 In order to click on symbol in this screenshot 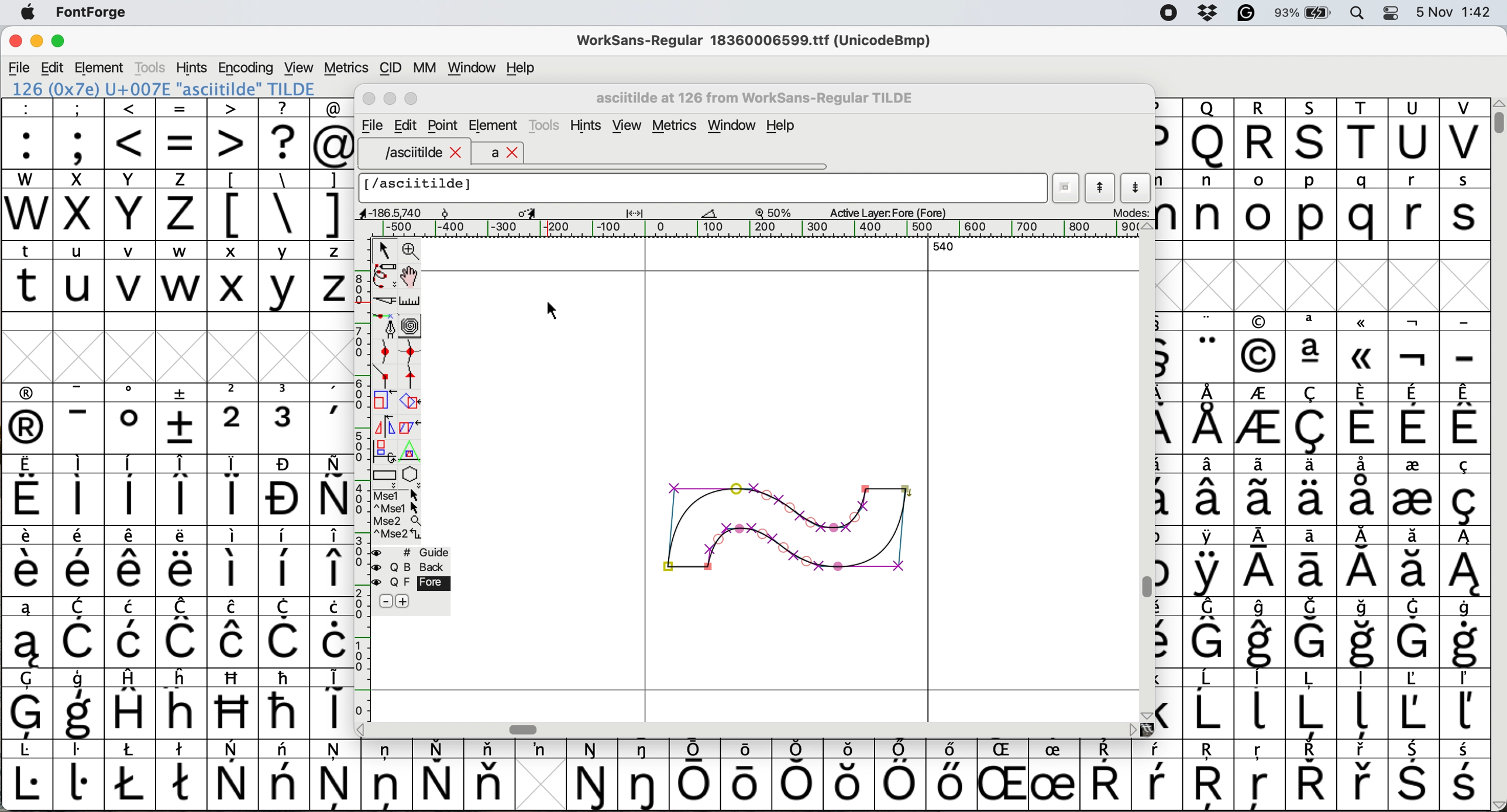, I will do `click(181, 562)`.